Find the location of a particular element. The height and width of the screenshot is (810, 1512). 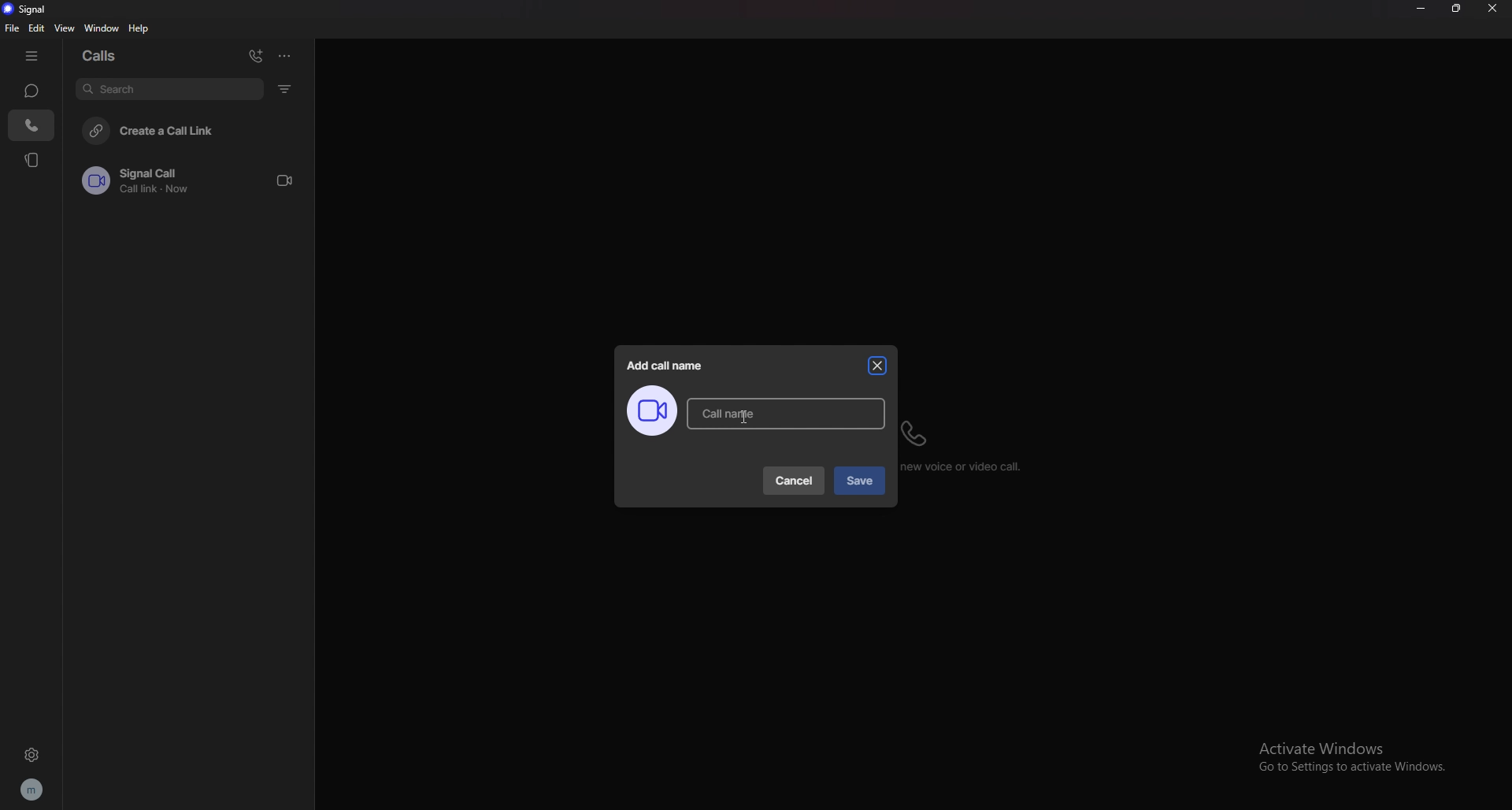

filter is located at coordinates (287, 88).